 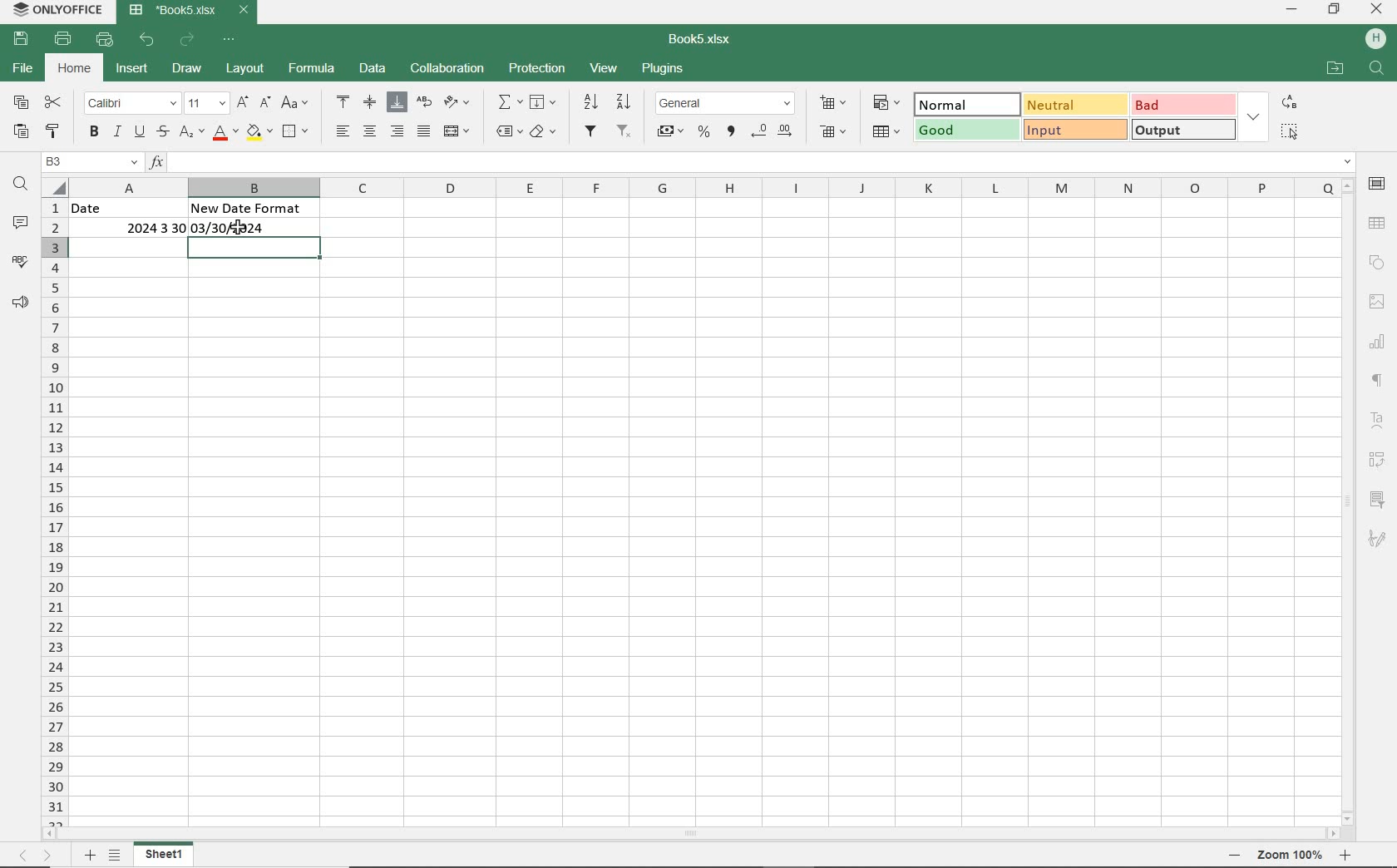 What do you see at coordinates (106, 39) in the screenshot?
I see `QUICK PRINT` at bounding box center [106, 39].